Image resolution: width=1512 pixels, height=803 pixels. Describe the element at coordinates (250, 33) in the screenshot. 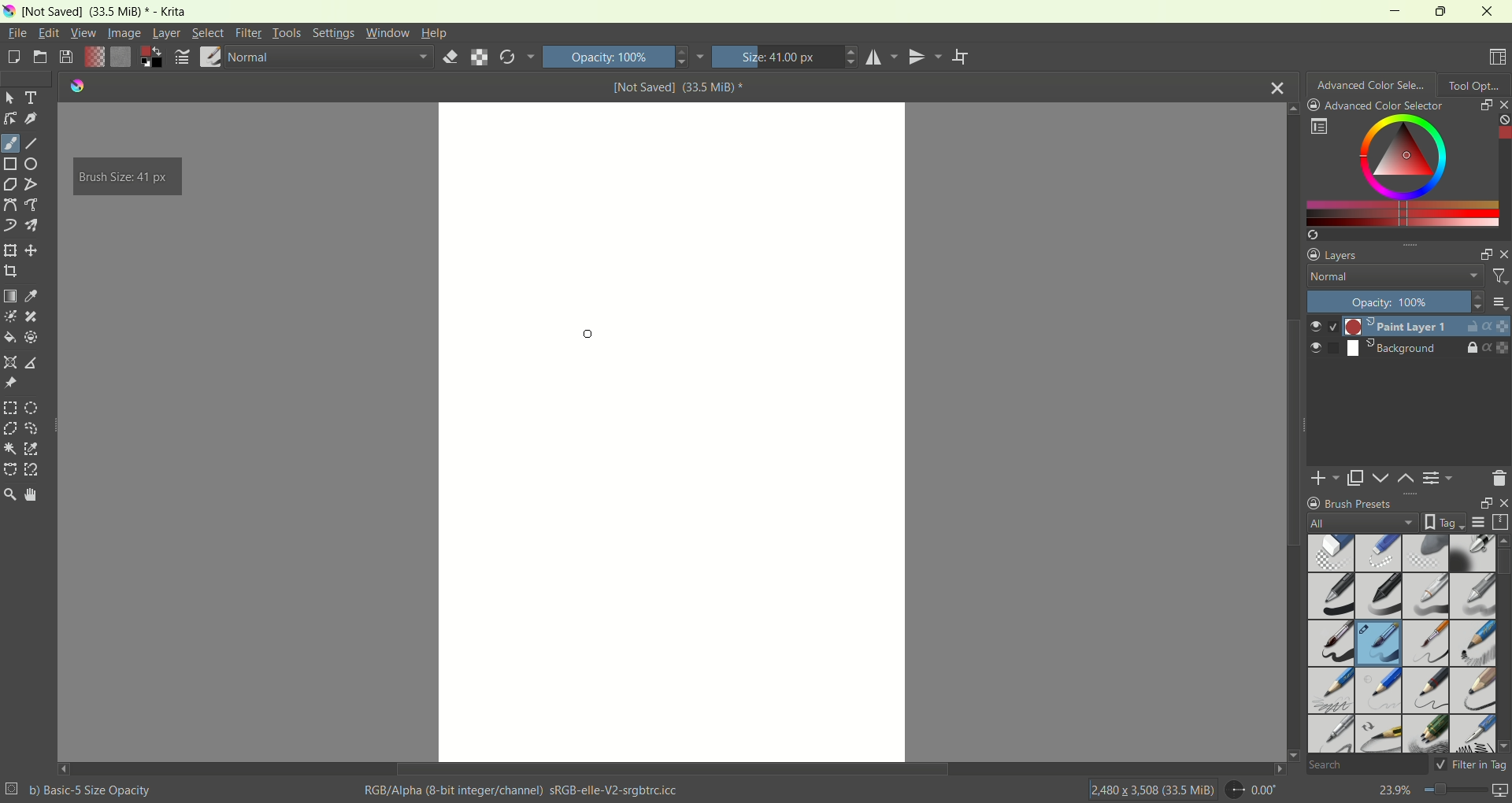

I see `filter` at that location.